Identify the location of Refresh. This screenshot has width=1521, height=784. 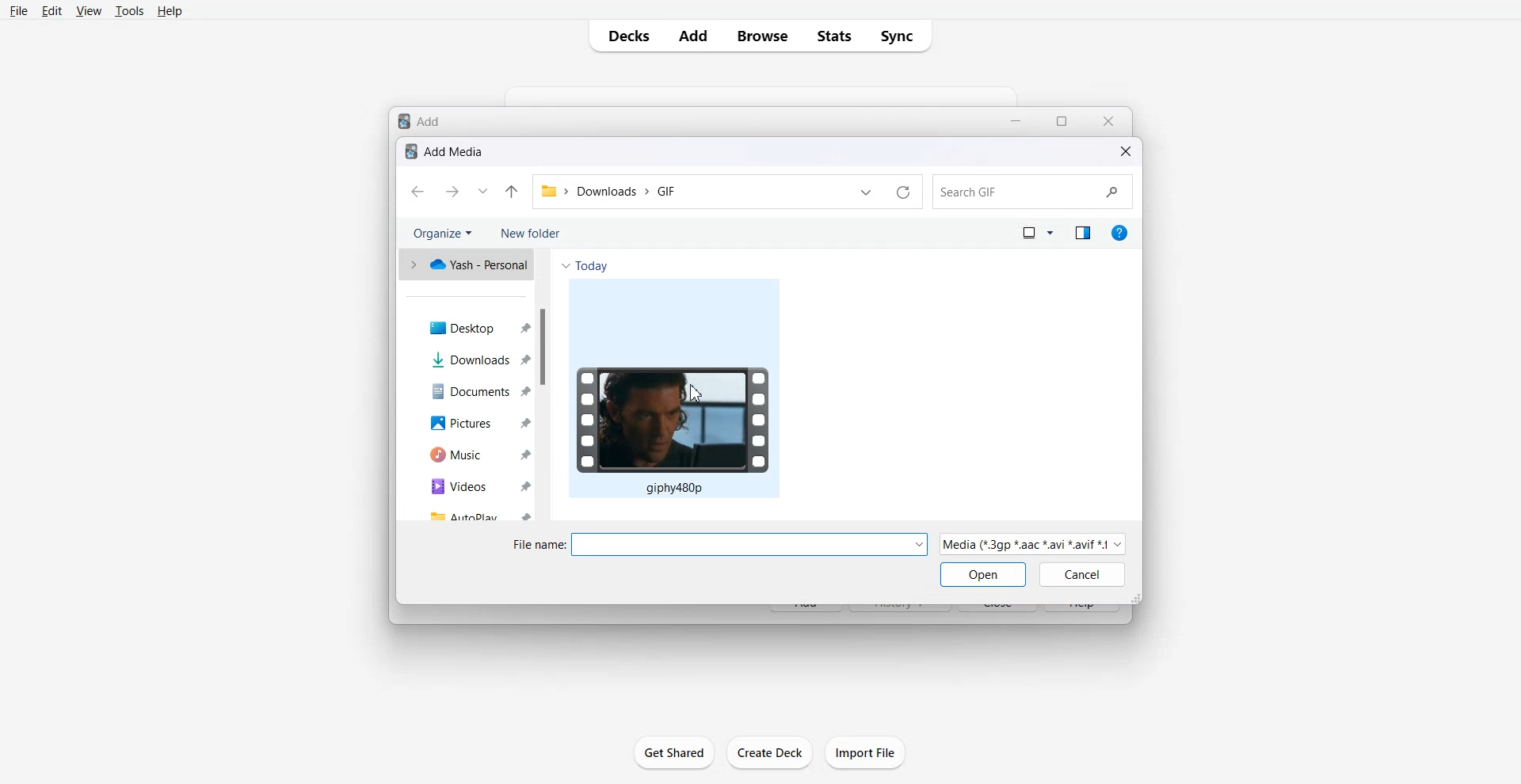
(901, 192).